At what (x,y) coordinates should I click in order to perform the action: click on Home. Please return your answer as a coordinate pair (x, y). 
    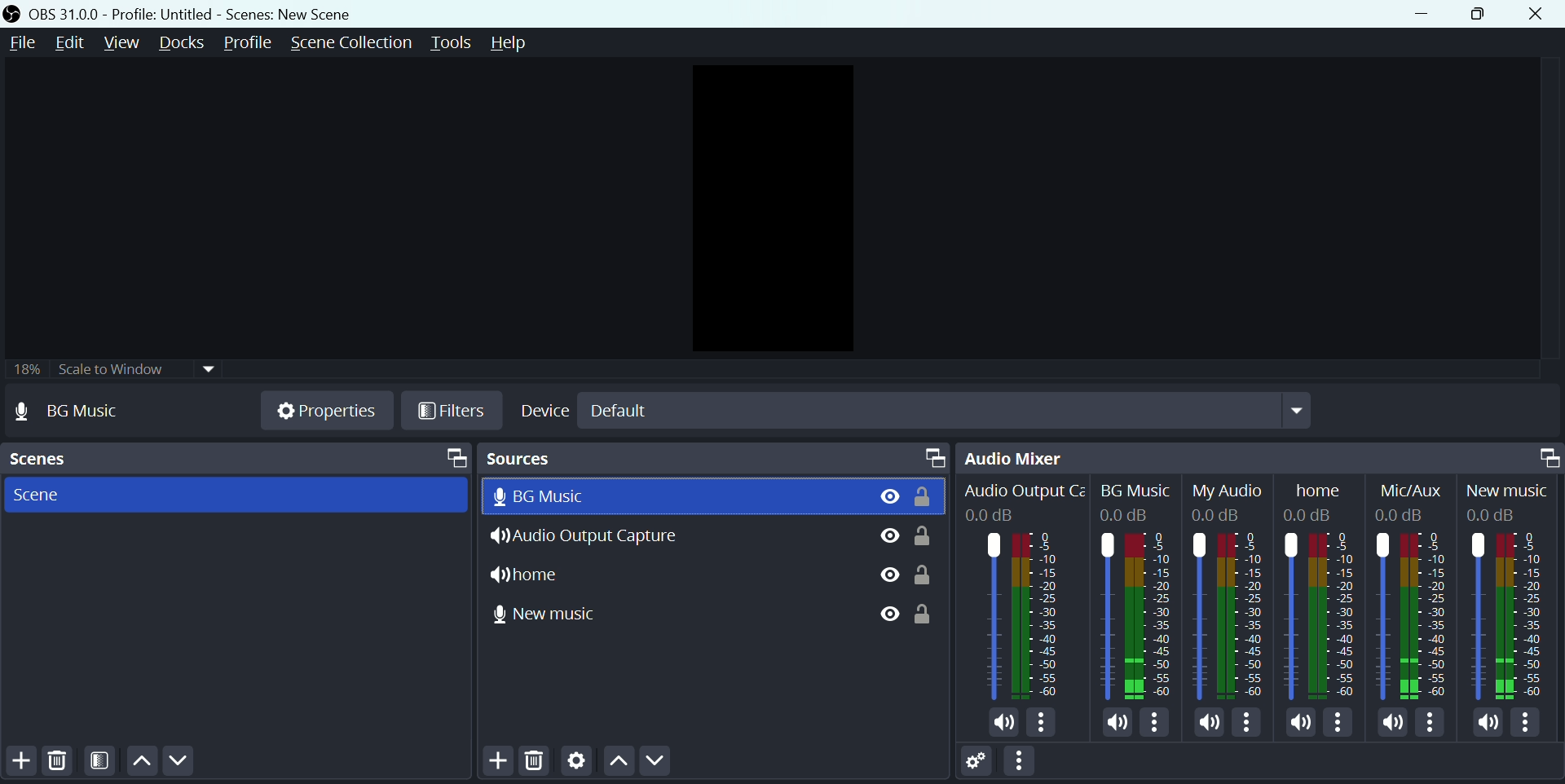
    Looking at the image, I should click on (1325, 588).